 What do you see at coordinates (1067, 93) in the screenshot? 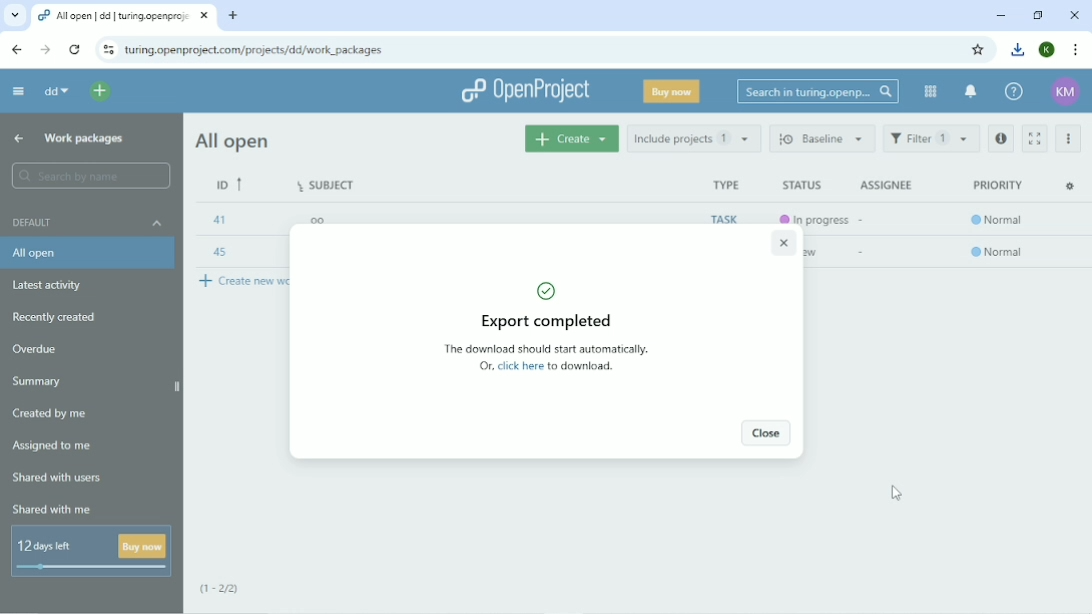
I see `Account` at bounding box center [1067, 93].